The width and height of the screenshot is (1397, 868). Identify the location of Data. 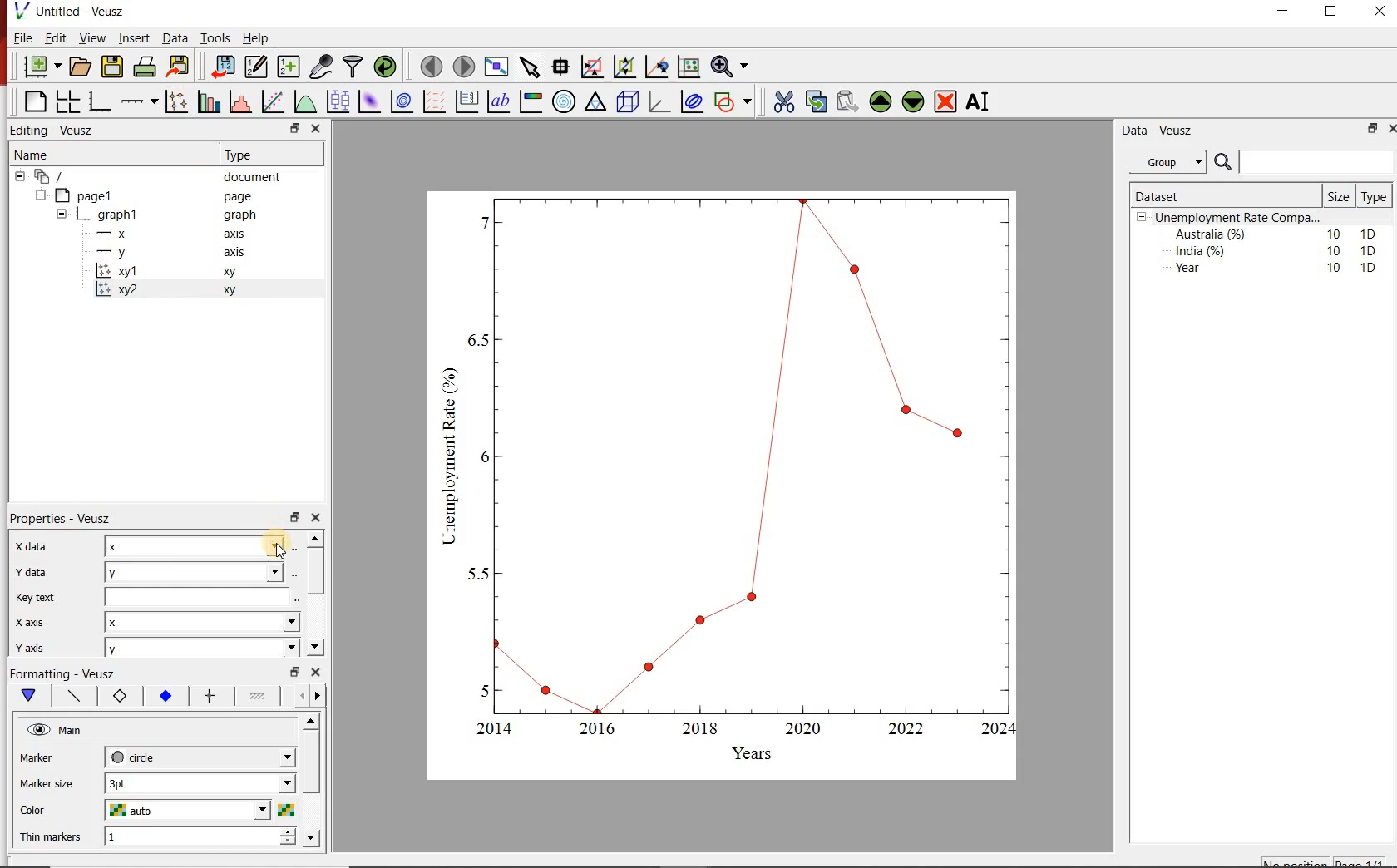
(175, 38).